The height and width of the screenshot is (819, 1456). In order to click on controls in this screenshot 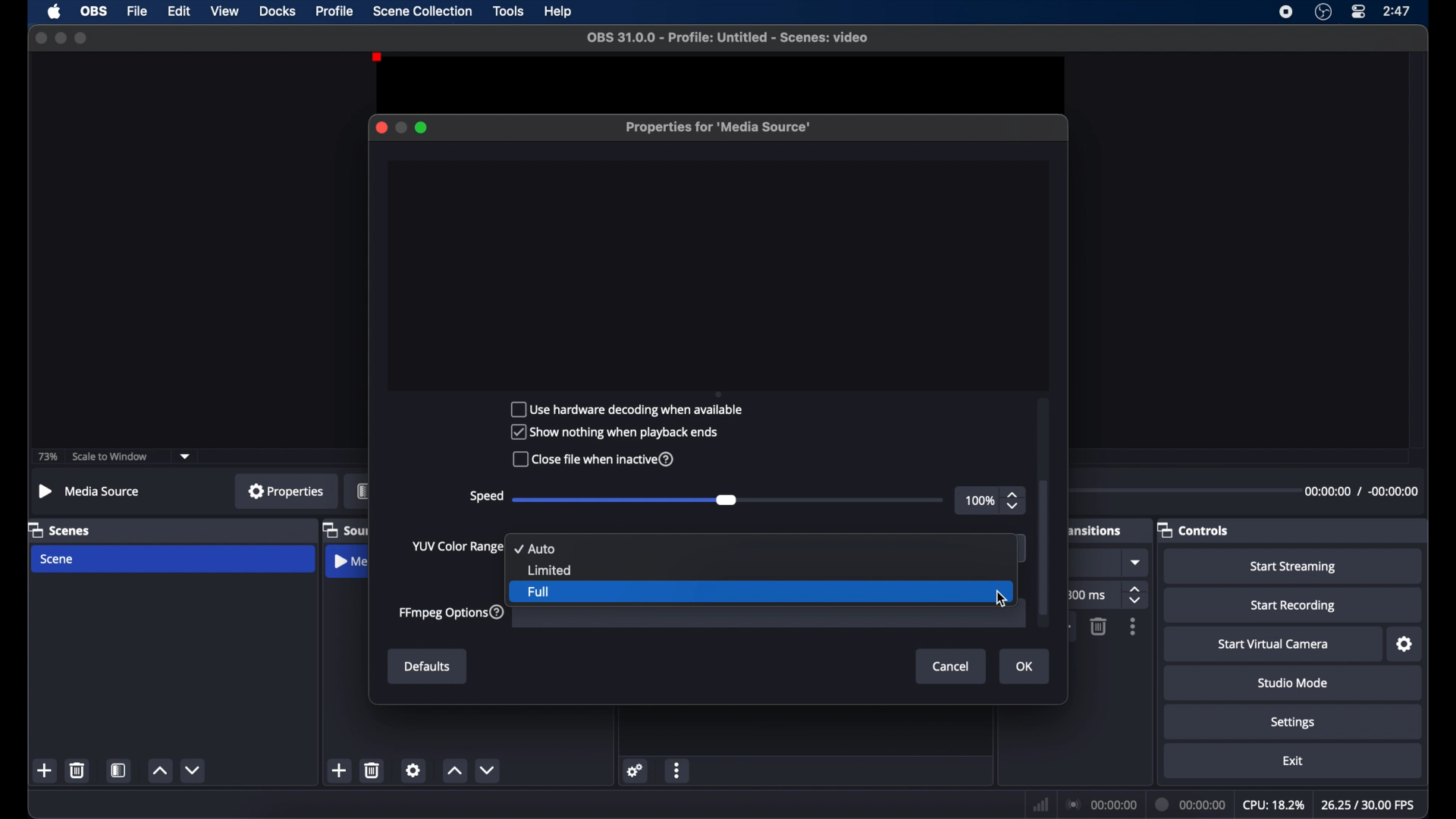, I will do `click(1194, 529)`.